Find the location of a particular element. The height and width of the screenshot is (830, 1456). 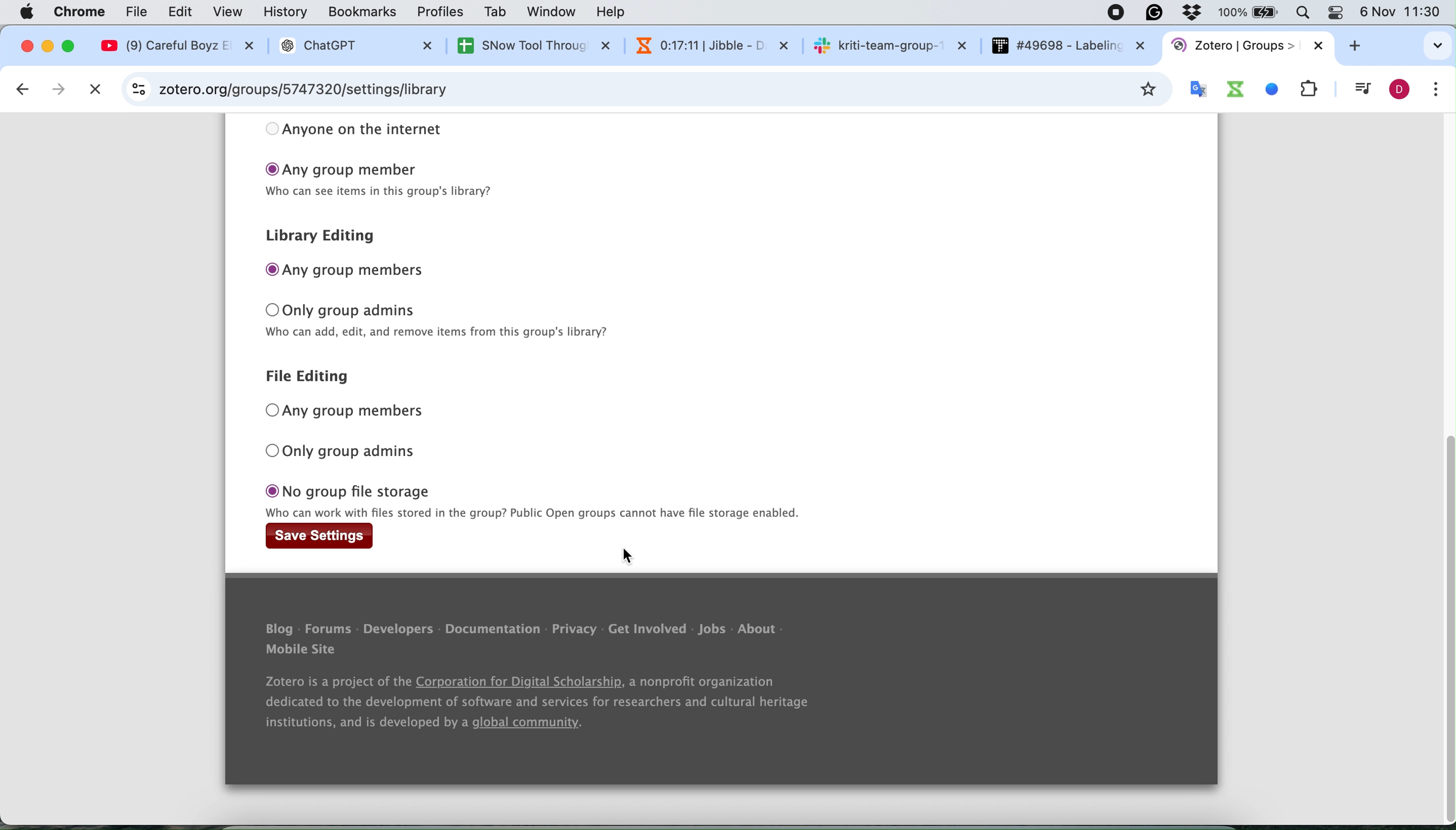

only group admins is located at coordinates (363, 309).